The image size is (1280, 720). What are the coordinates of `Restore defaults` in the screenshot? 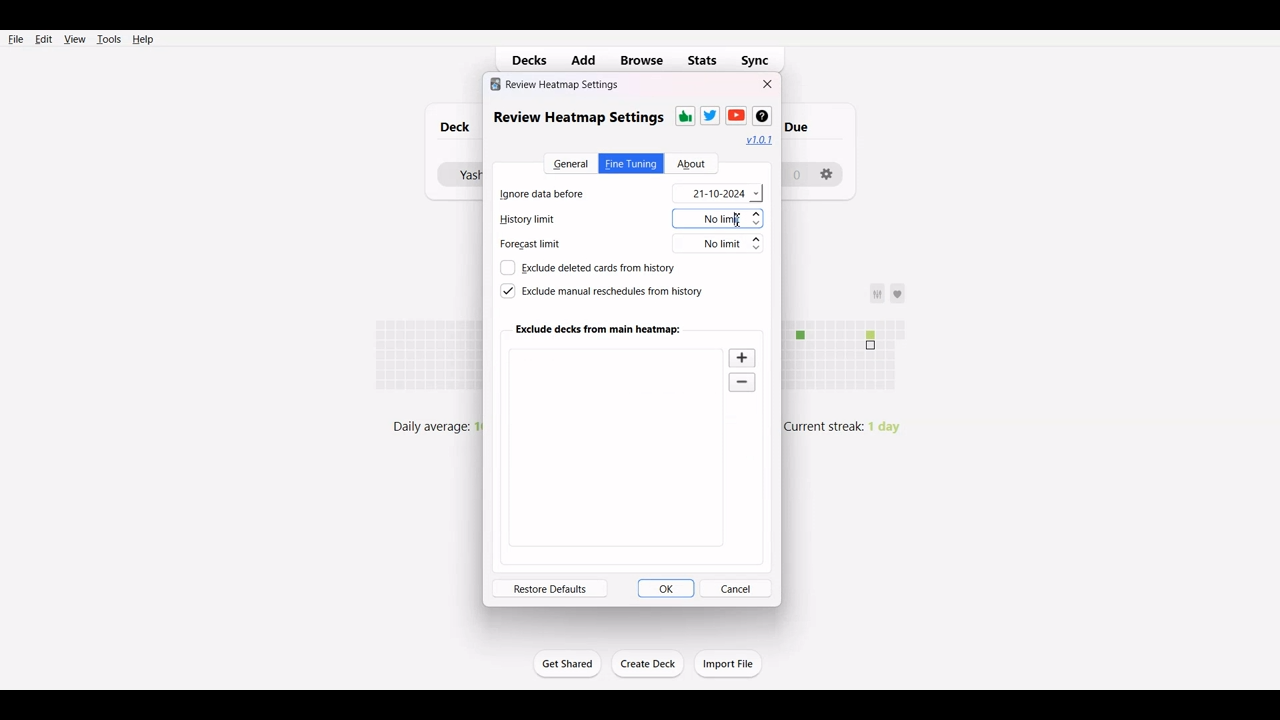 It's located at (550, 588).